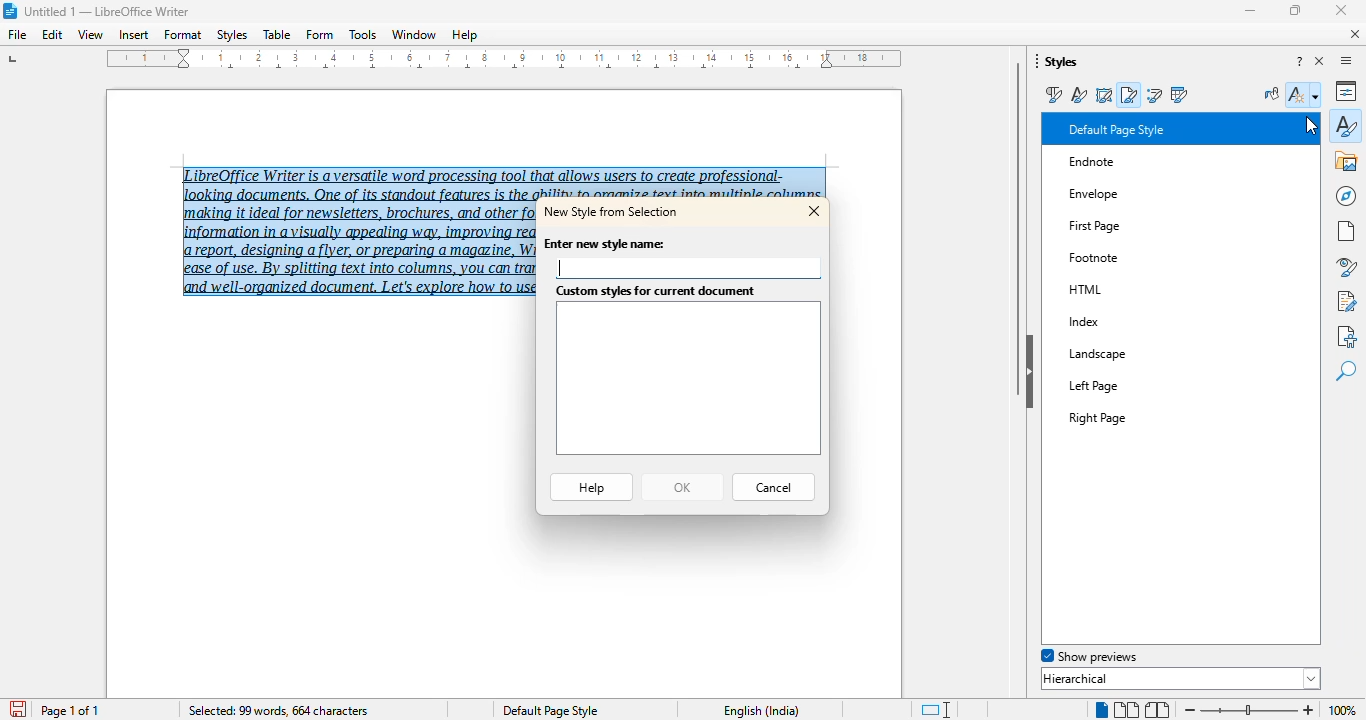  Describe the element at coordinates (363, 35) in the screenshot. I see `tools` at that location.